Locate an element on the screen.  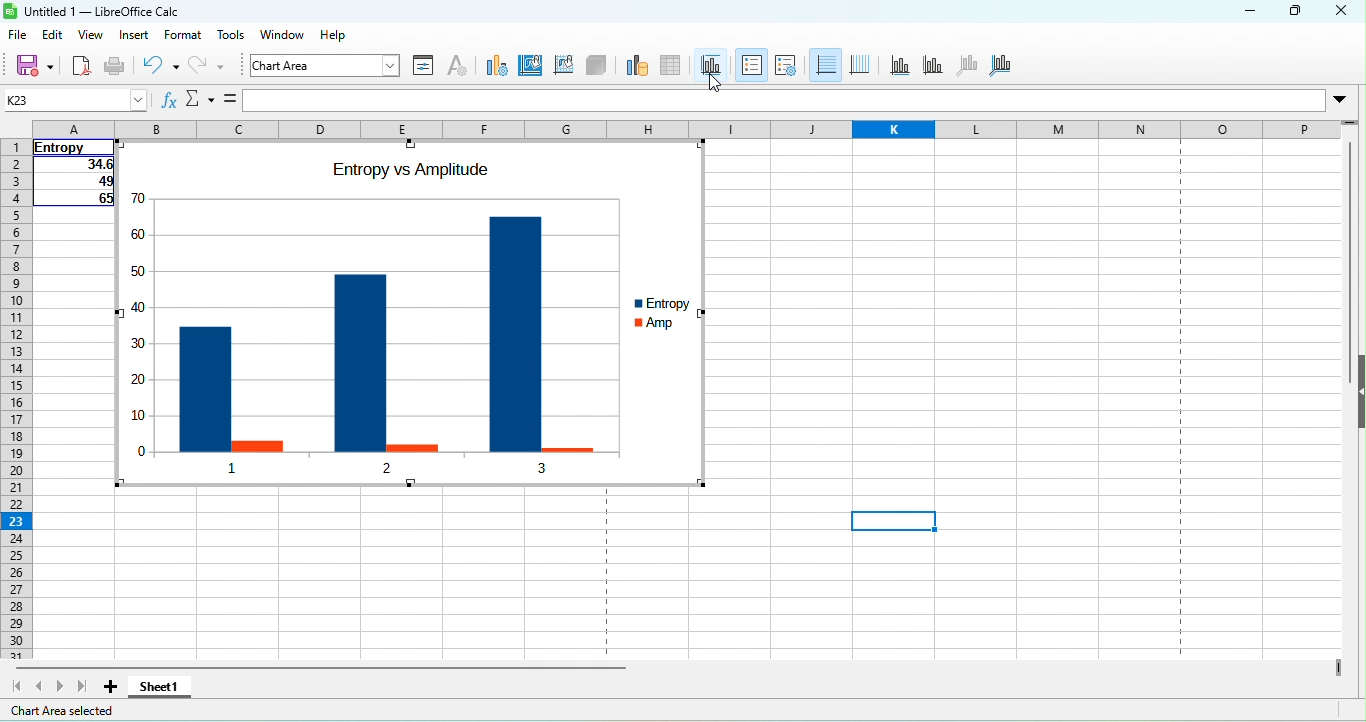
formula is located at coordinates (228, 100).